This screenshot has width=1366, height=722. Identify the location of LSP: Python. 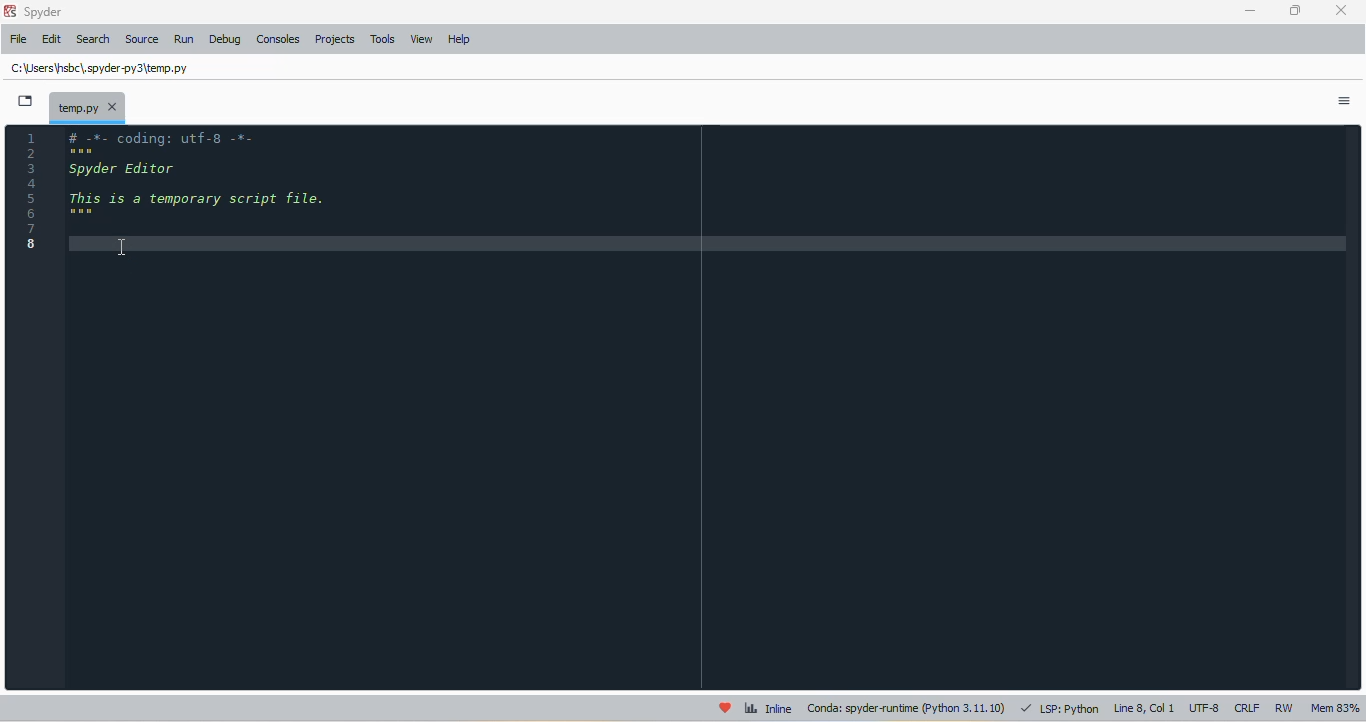
(1060, 708).